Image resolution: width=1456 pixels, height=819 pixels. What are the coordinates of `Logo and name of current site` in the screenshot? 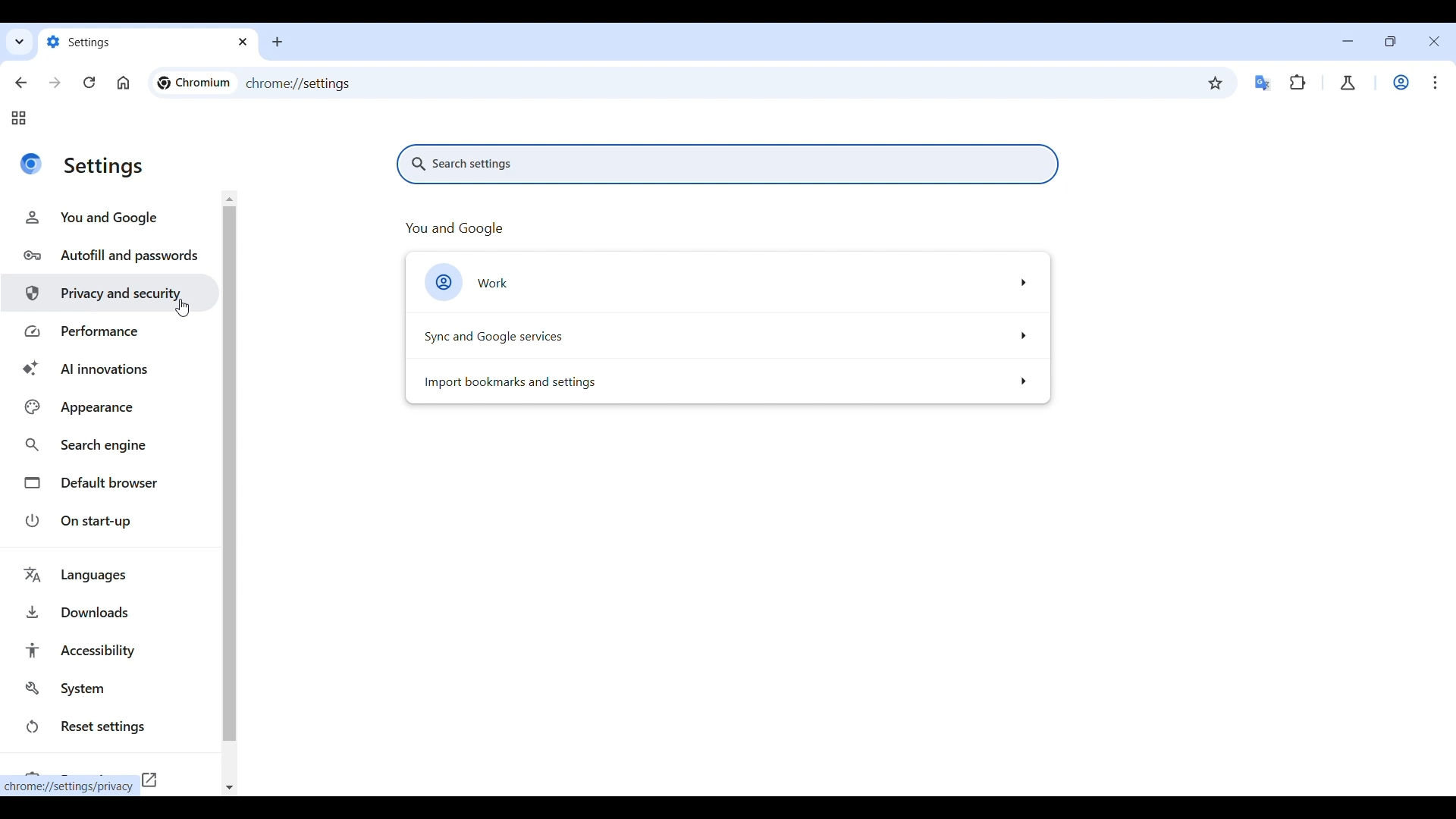 It's located at (194, 83).